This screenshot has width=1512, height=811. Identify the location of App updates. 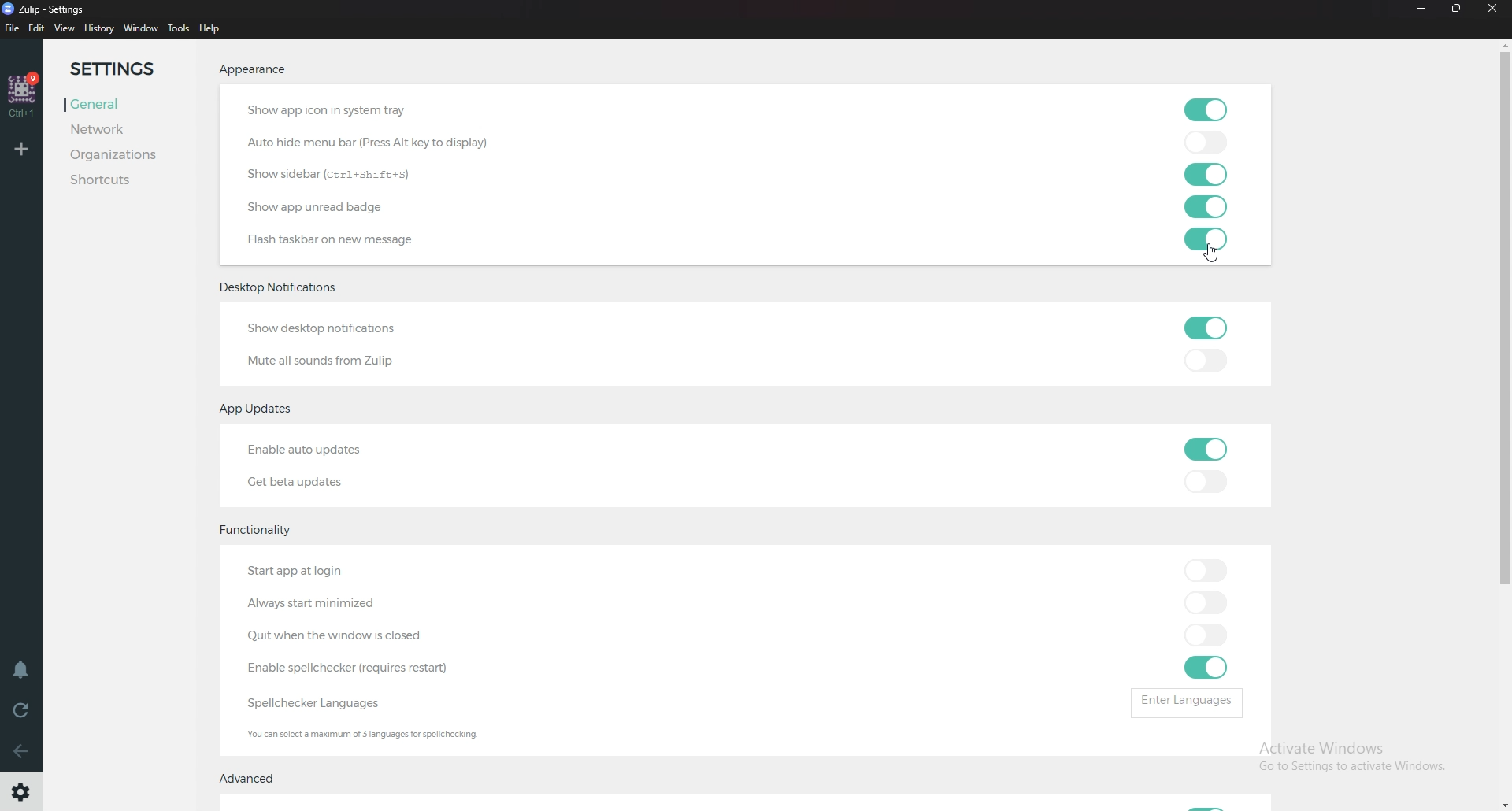
(264, 409).